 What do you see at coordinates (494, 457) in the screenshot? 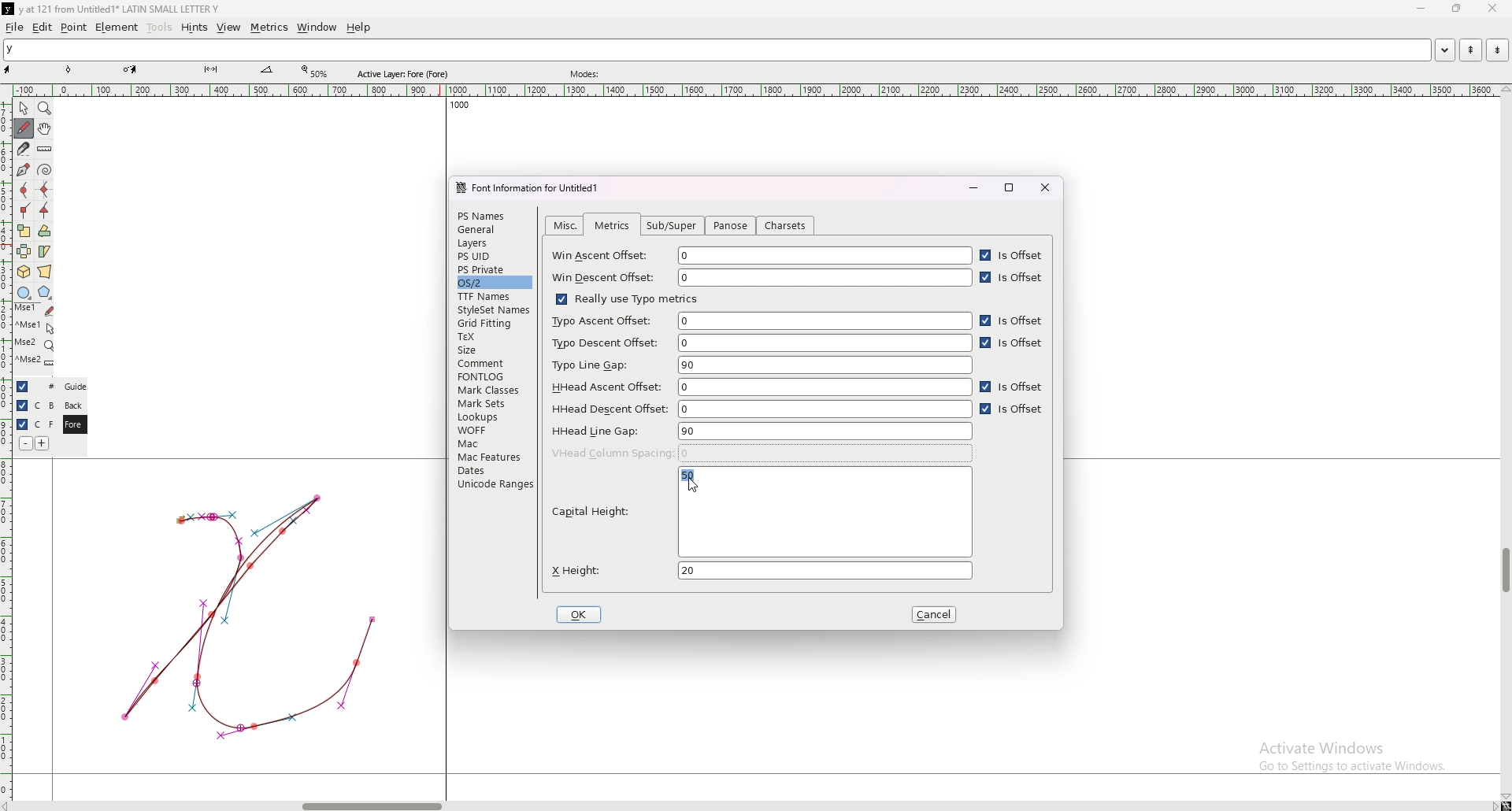
I see `mac features` at bounding box center [494, 457].